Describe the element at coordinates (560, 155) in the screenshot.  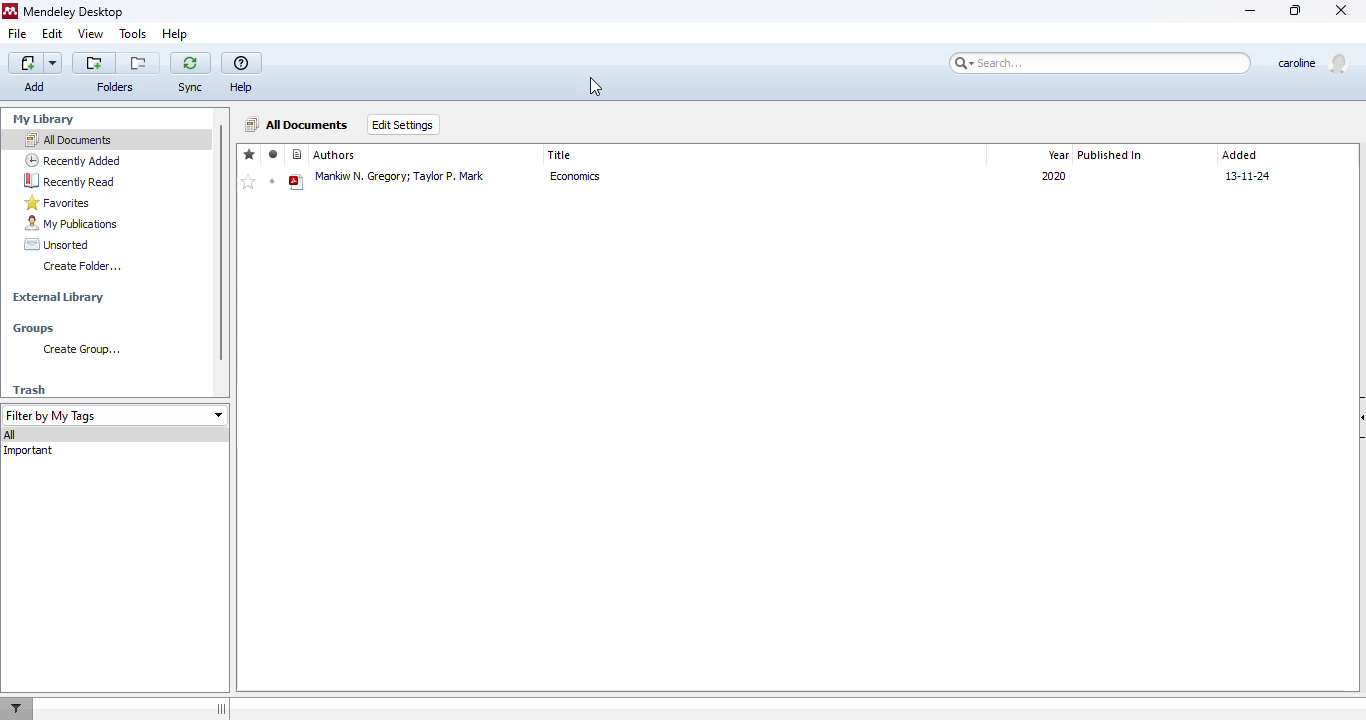
I see `title` at that location.